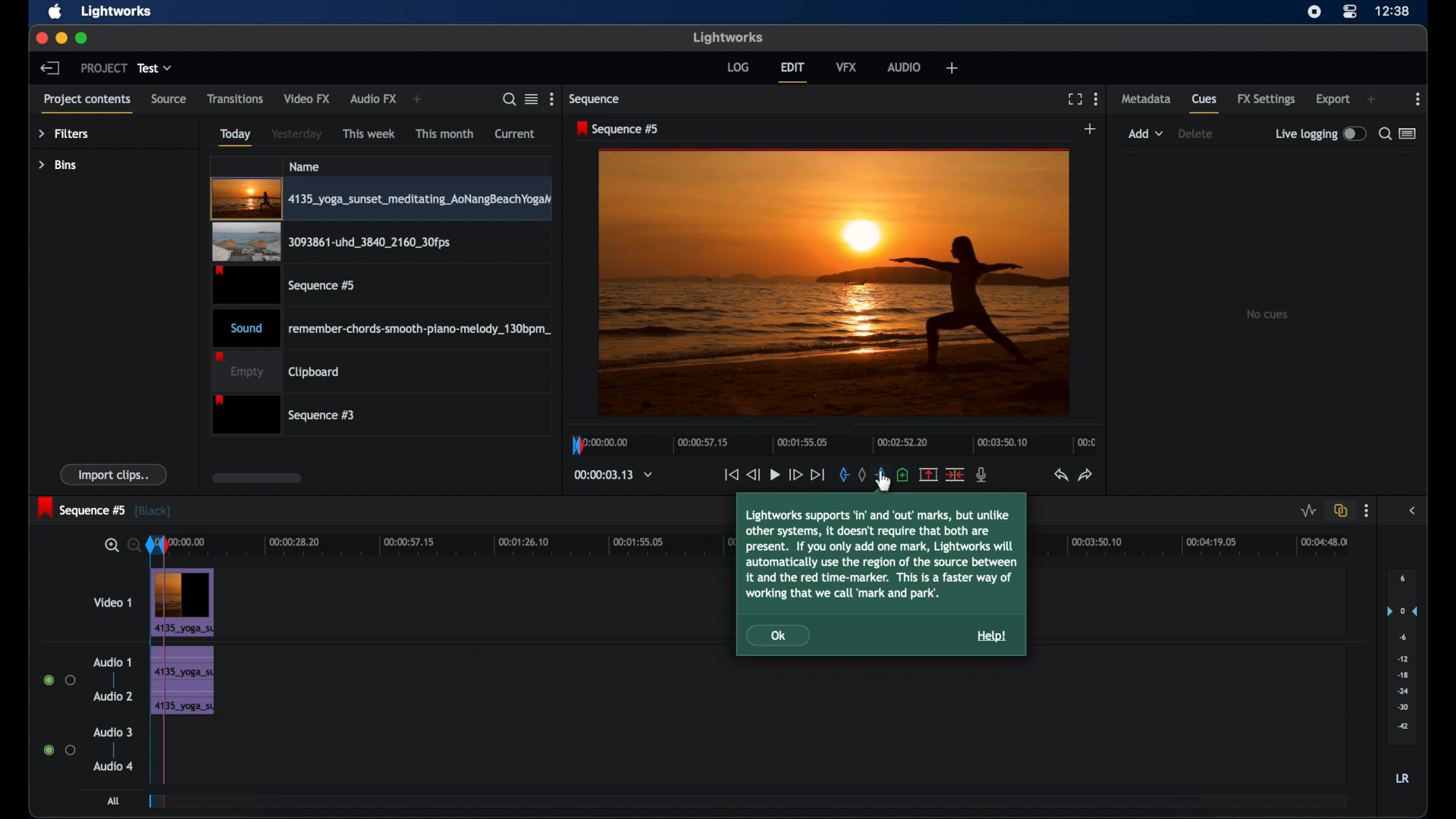 This screenshot has width=1456, height=819. I want to click on audio fx, so click(374, 99).